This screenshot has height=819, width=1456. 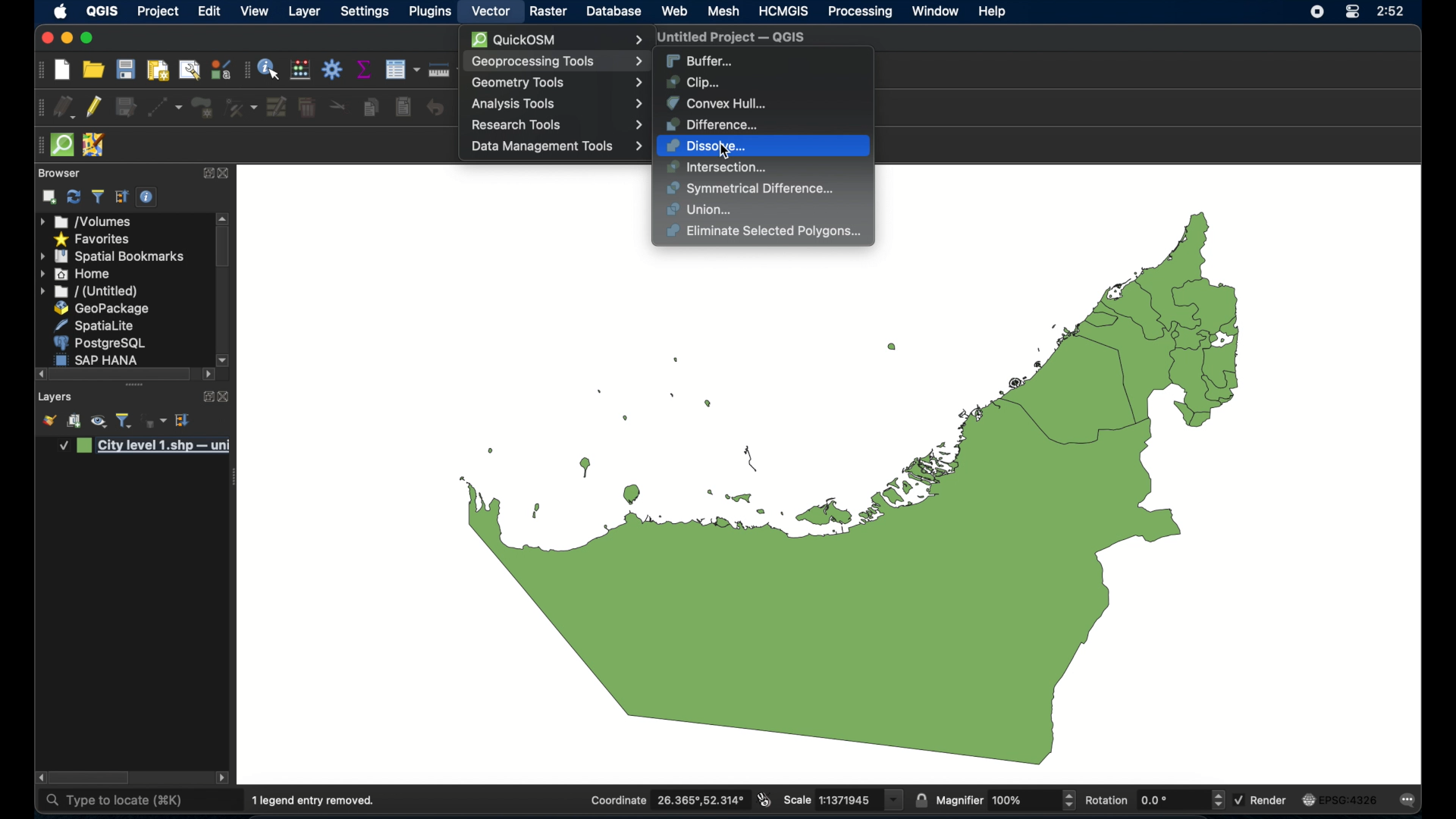 I want to click on view, so click(x=254, y=11).